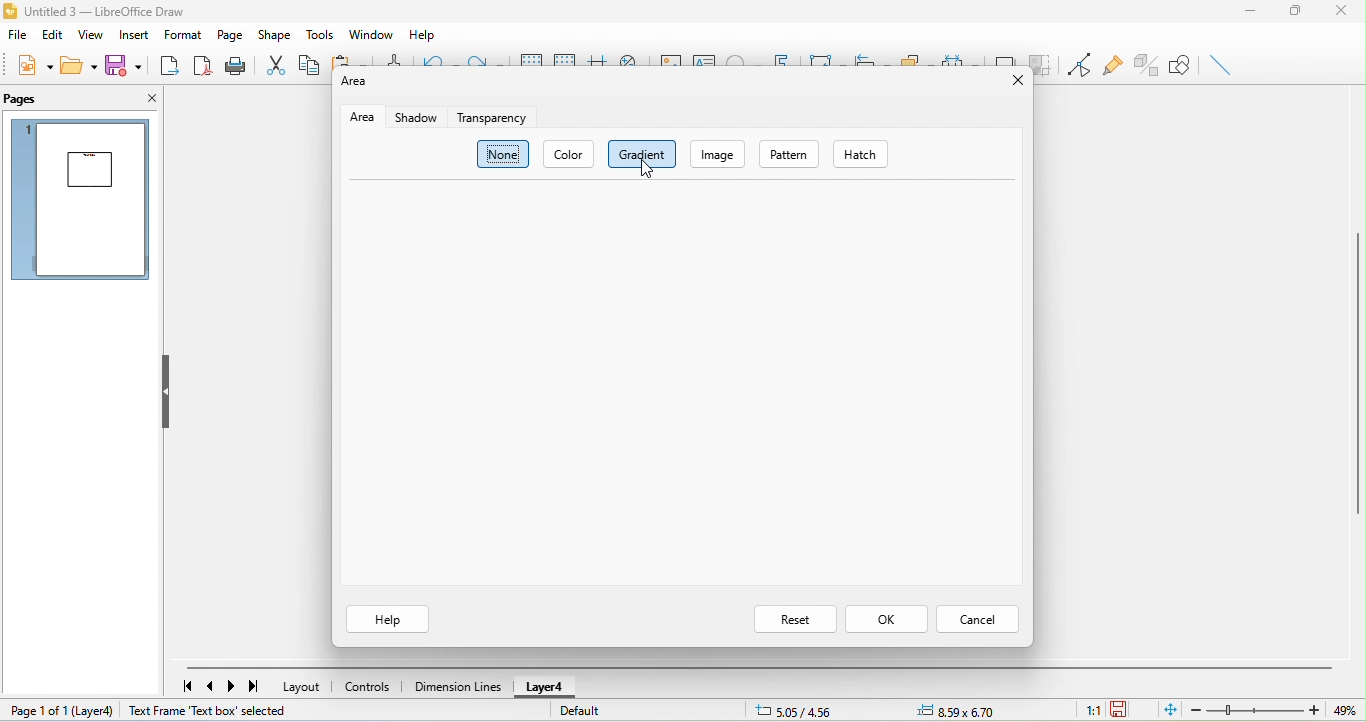 Image resolution: width=1366 pixels, height=722 pixels. Describe the element at coordinates (599, 57) in the screenshot. I see `helpline while moving` at that location.